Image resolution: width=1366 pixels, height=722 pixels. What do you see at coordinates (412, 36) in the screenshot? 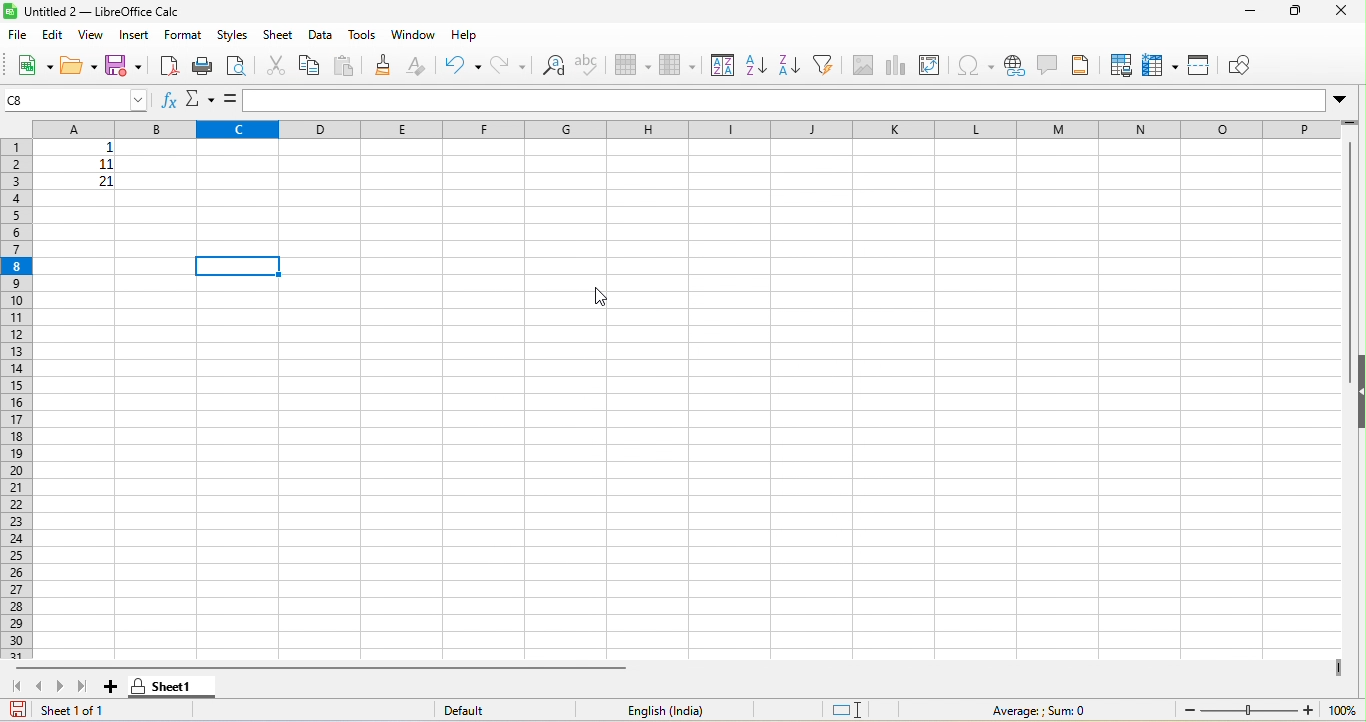
I see `window` at bounding box center [412, 36].